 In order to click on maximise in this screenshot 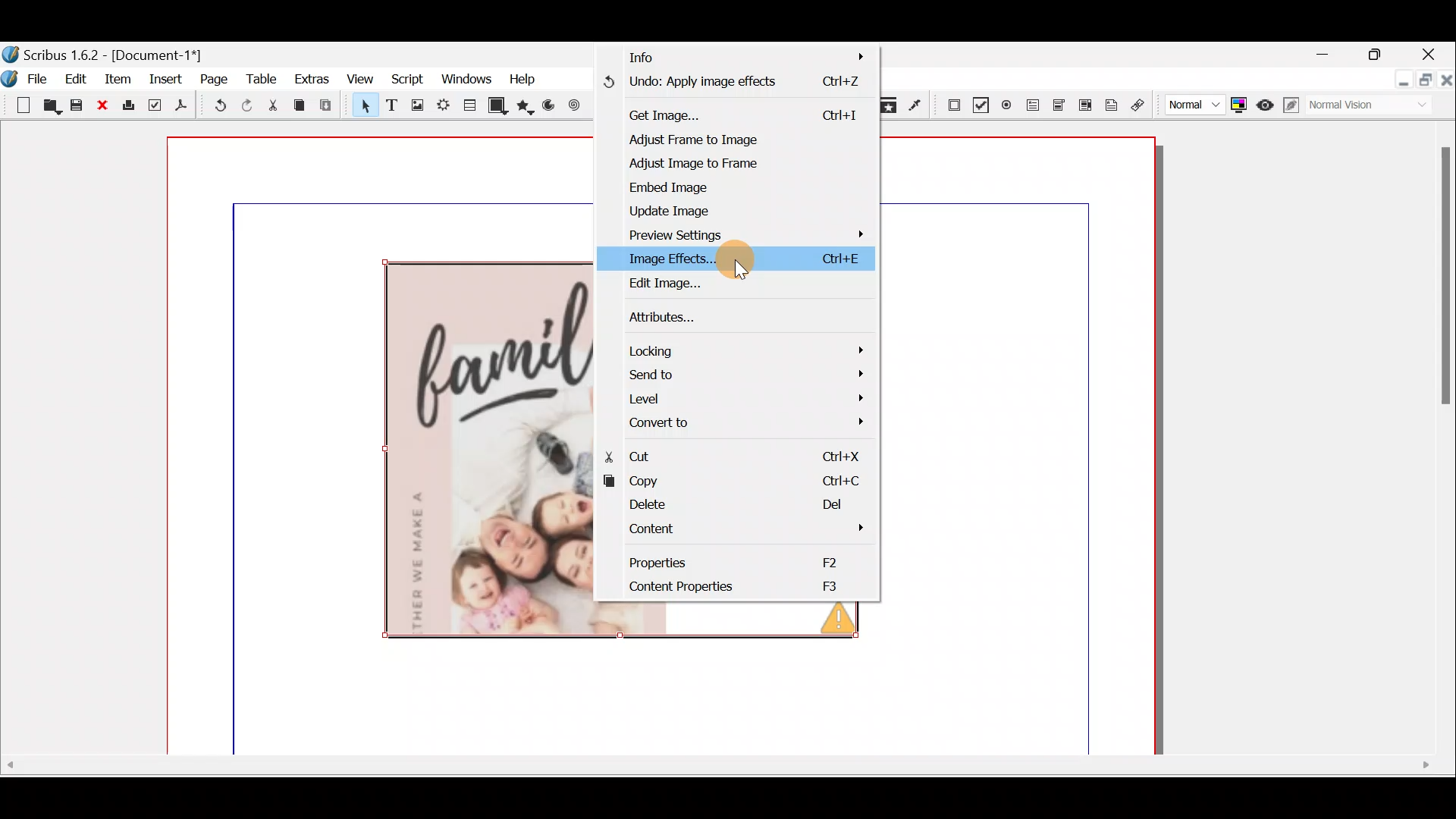, I will do `click(1379, 56)`.